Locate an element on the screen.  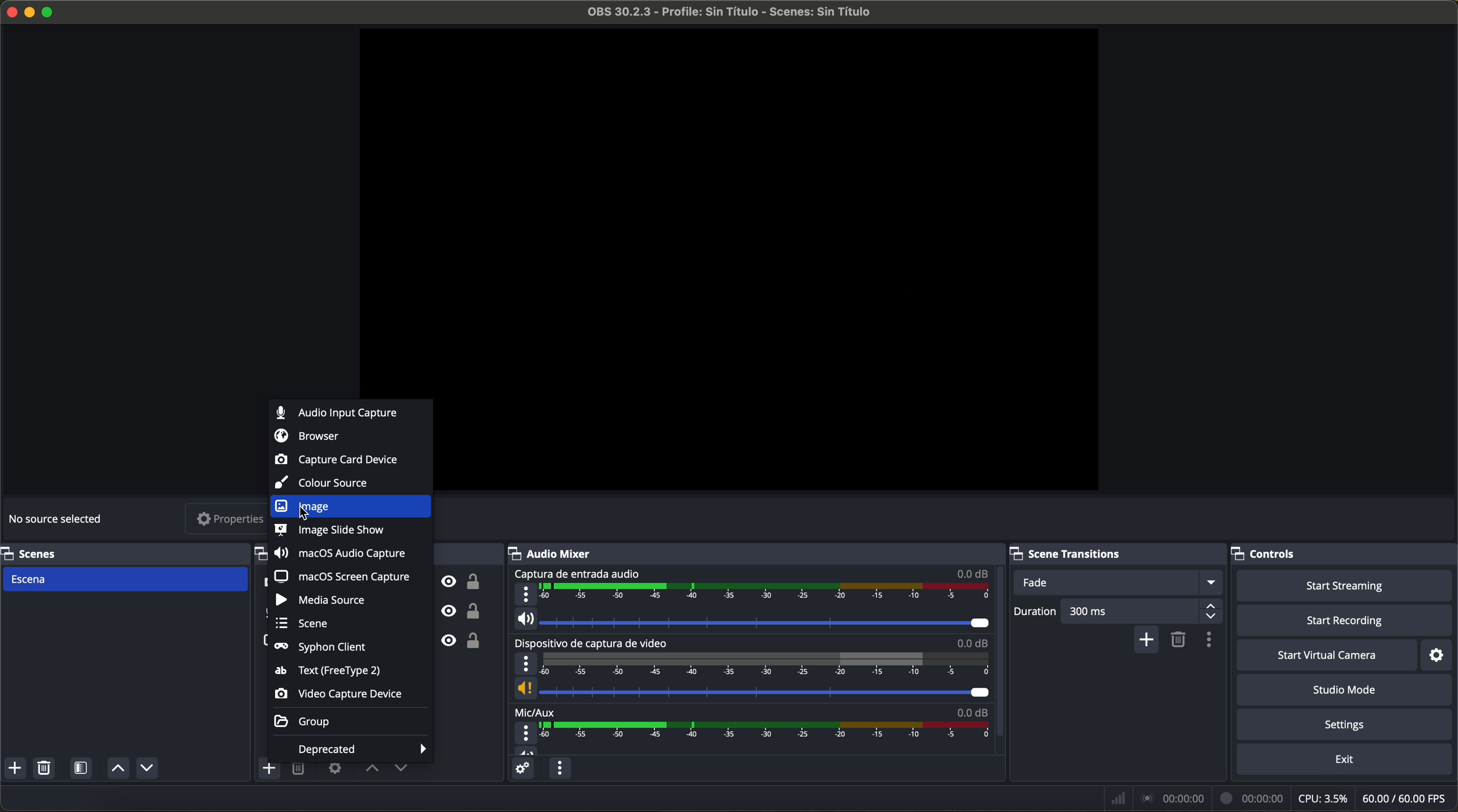
0.0 dB is located at coordinates (973, 643).